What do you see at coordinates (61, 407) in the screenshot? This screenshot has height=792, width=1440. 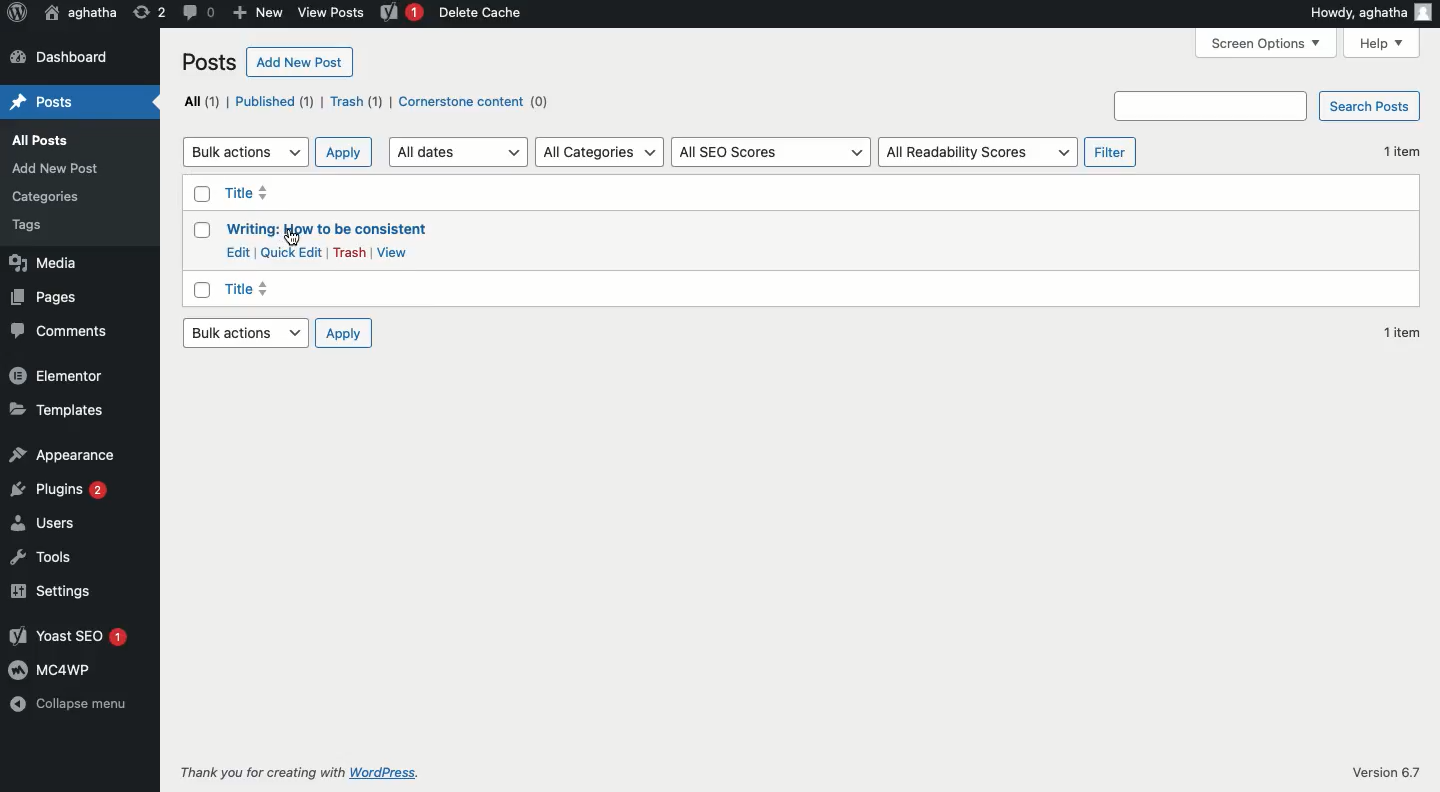 I see `Templates` at bounding box center [61, 407].